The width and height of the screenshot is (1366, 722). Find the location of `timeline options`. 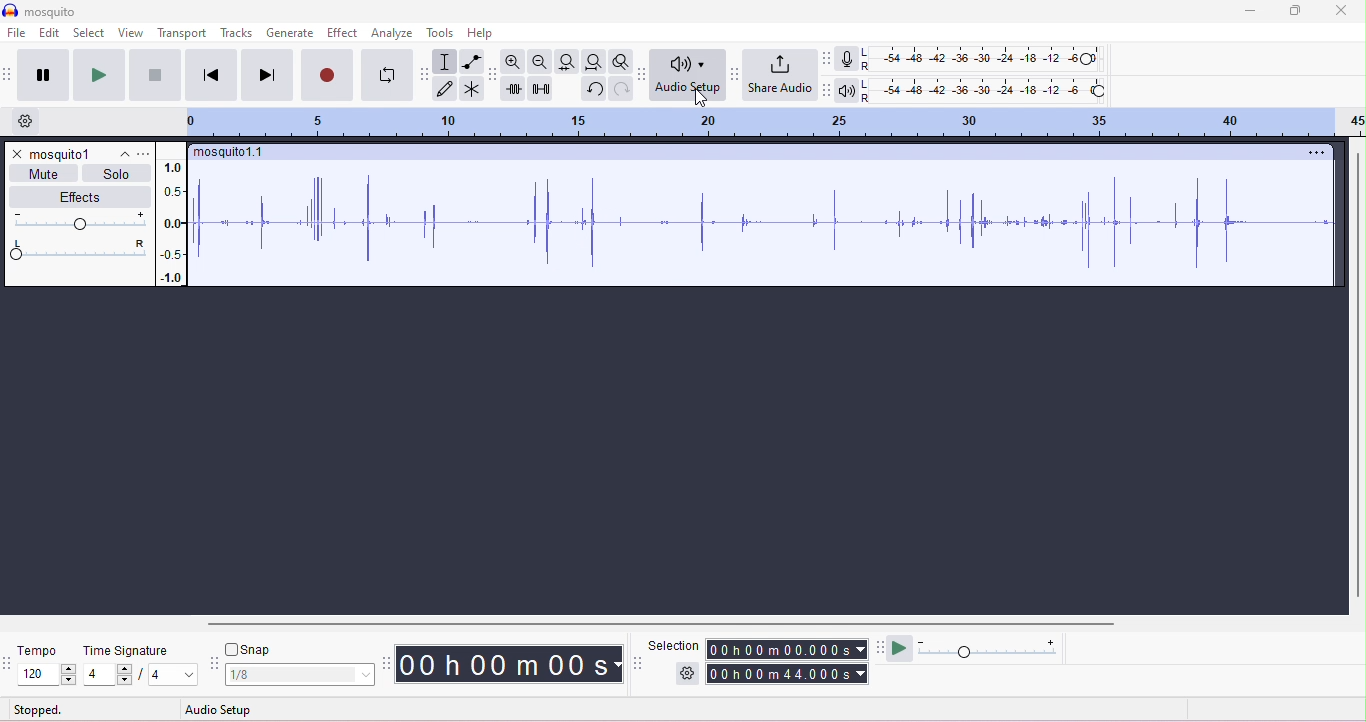

timeline options is located at coordinates (28, 121).